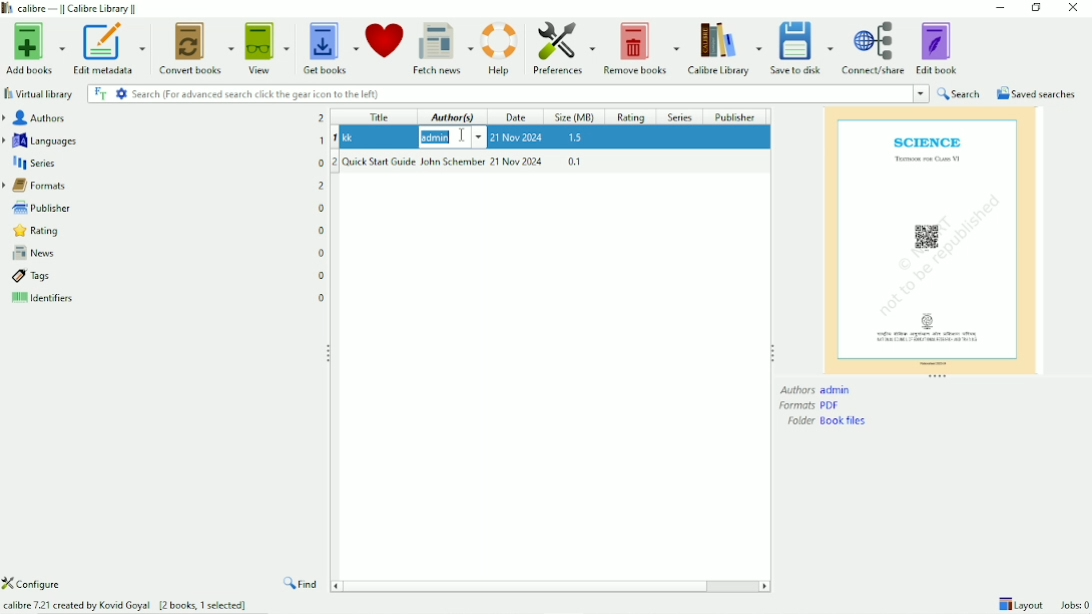 This screenshot has height=614, width=1092. What do you see at coordinates (33, 50) in the screenshot?
I see `Add books` at bounding box center [33, 50].